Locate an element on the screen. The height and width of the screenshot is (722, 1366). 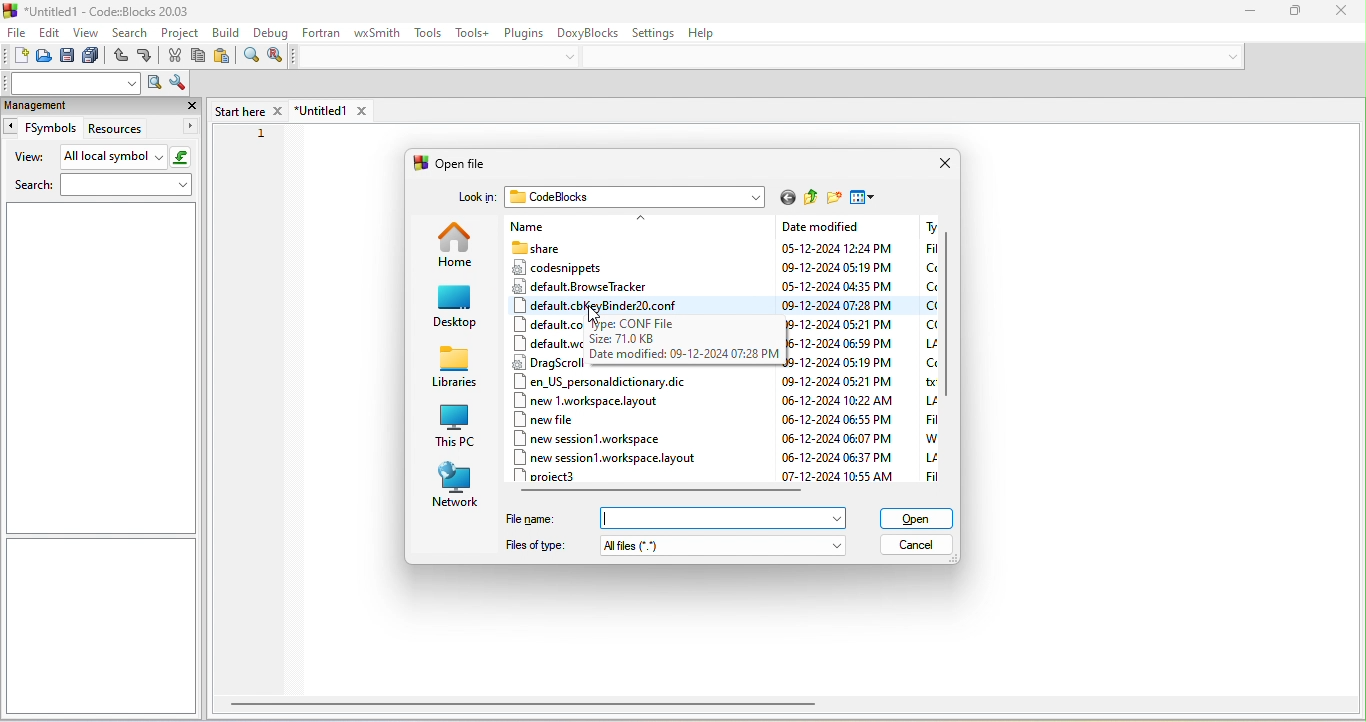
search is located at coordinates (105, 187).